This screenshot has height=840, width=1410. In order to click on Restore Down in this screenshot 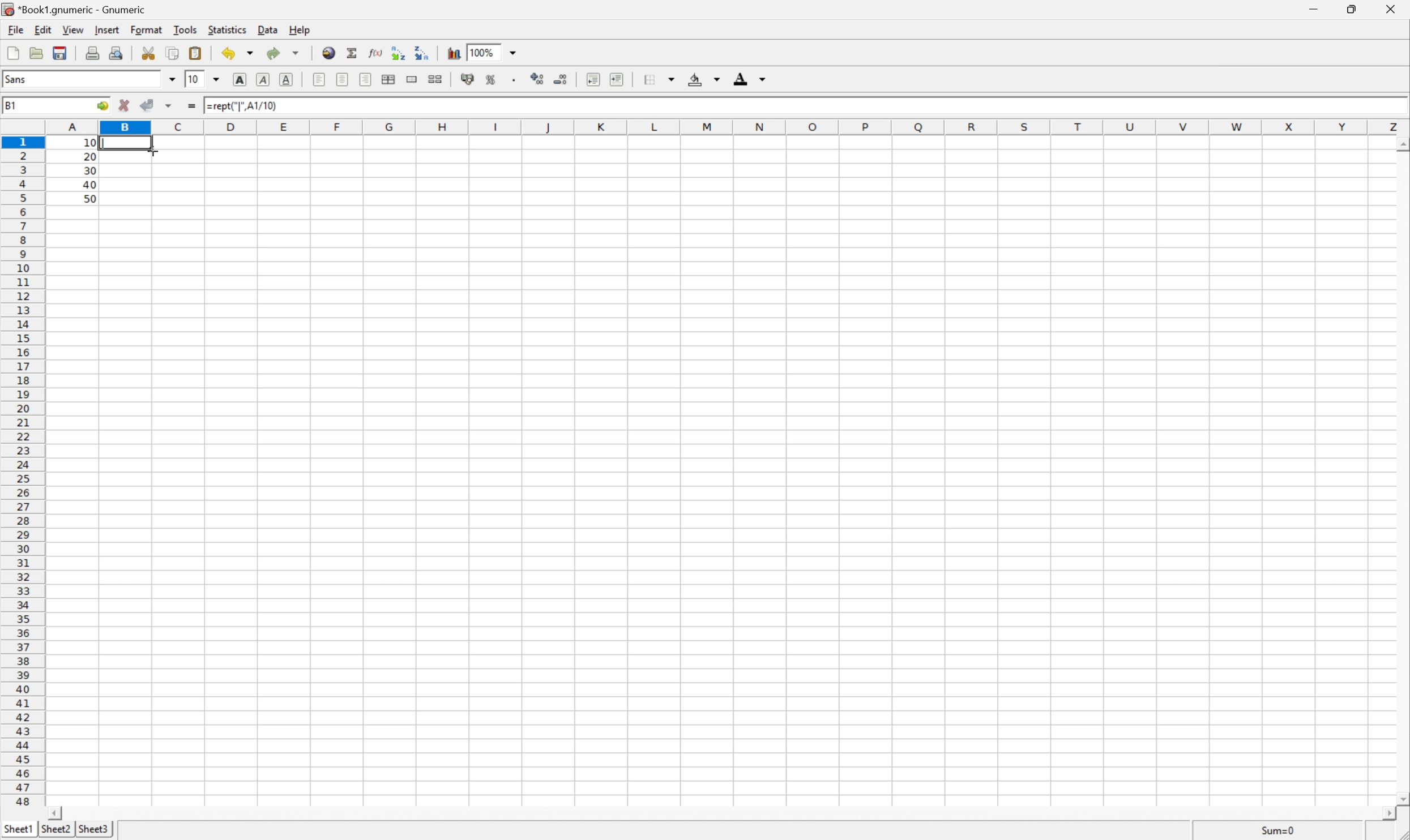, I will do `click(1354, 8)`.